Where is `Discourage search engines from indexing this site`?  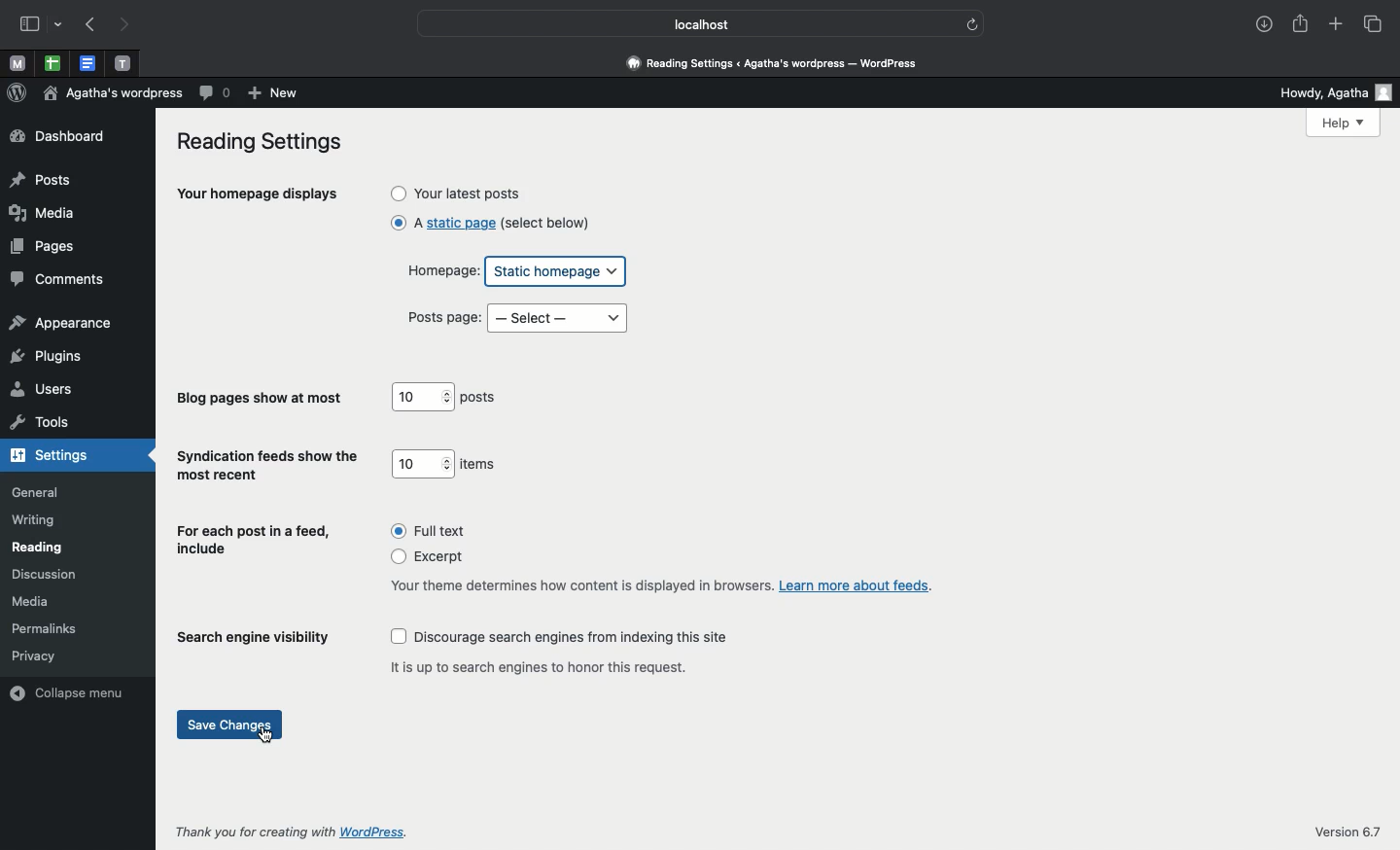 Discourage search engines from indexing this site is located at coordinates (564, 638).